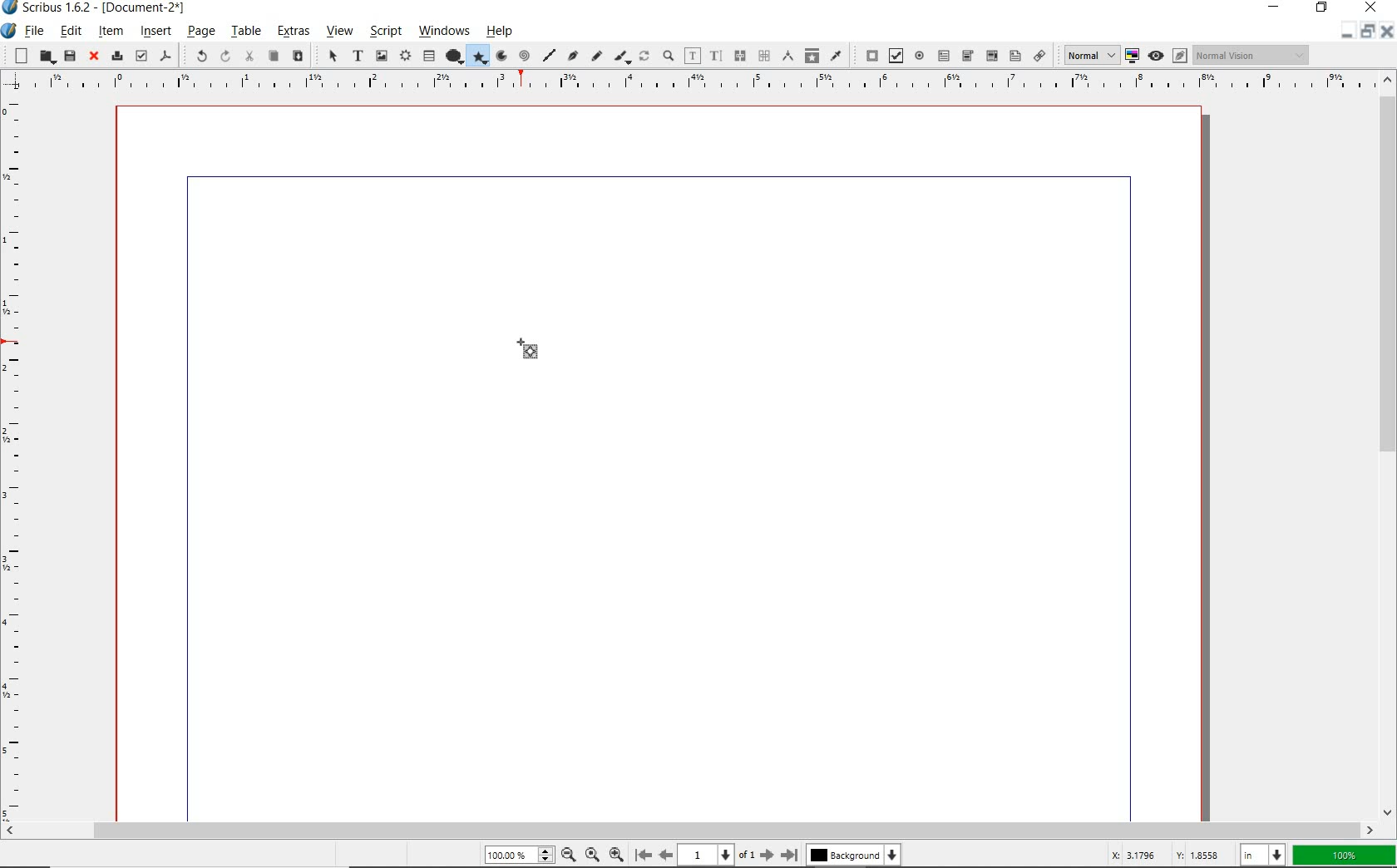 The height and width of the screenshot is (868, 1397). What do you see at coordinates (548, 52) in the screenshot?
I see `line` at bounding box center [548, 52].